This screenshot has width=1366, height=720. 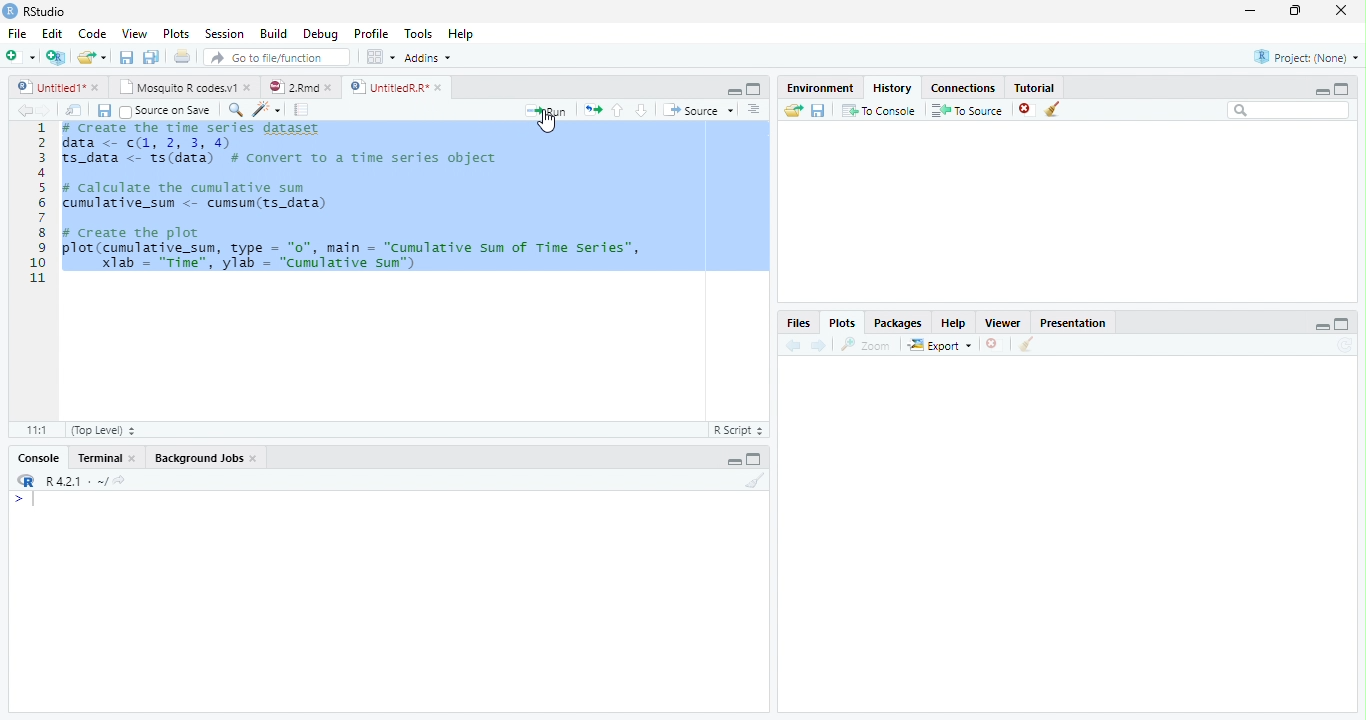 What do you see at coordinates (372, 35) in the screenshot?
I see `Profile` at bounding box center [372, 35].